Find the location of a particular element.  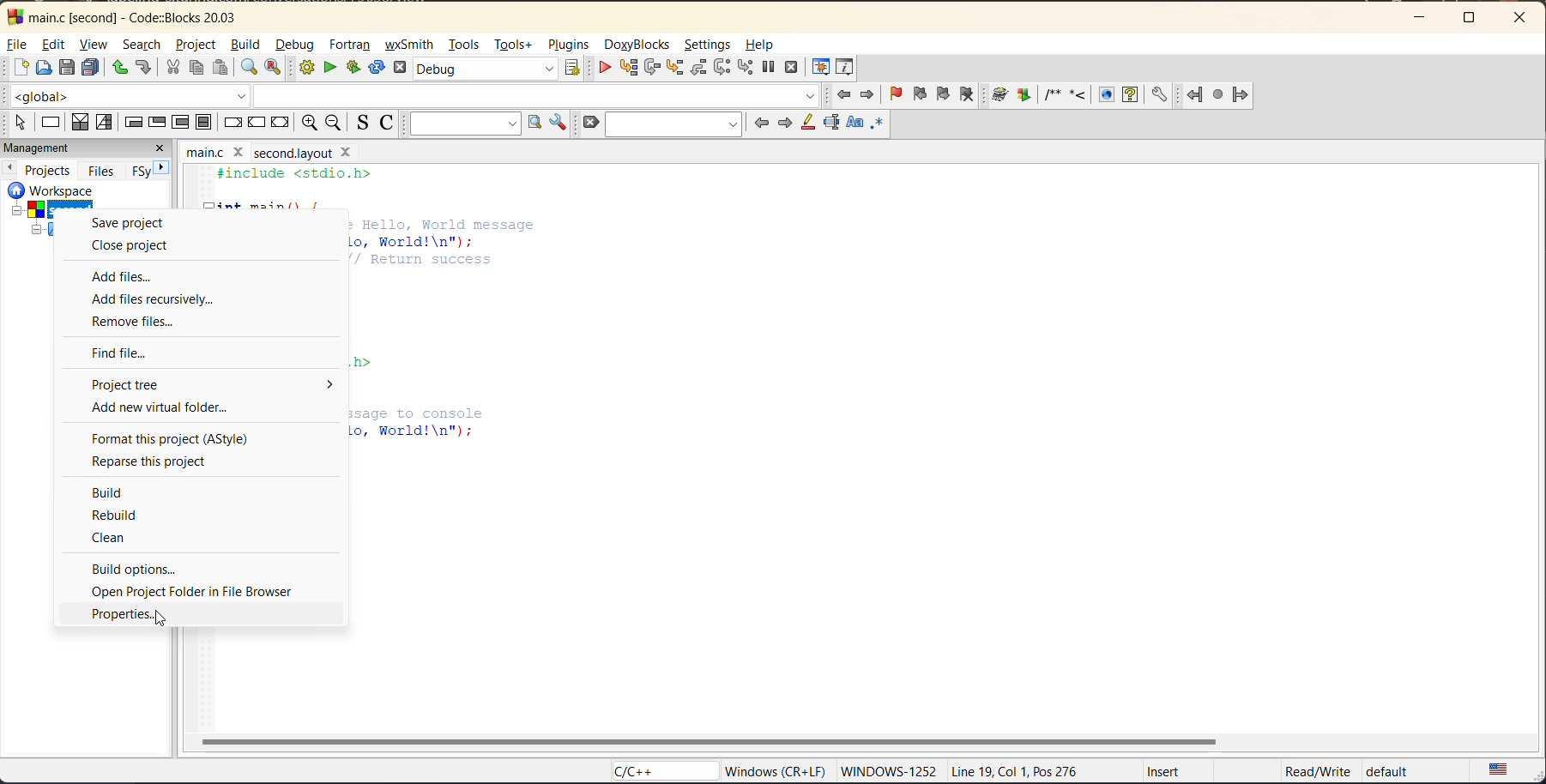

break debugger is located at coordinates (770, 68).